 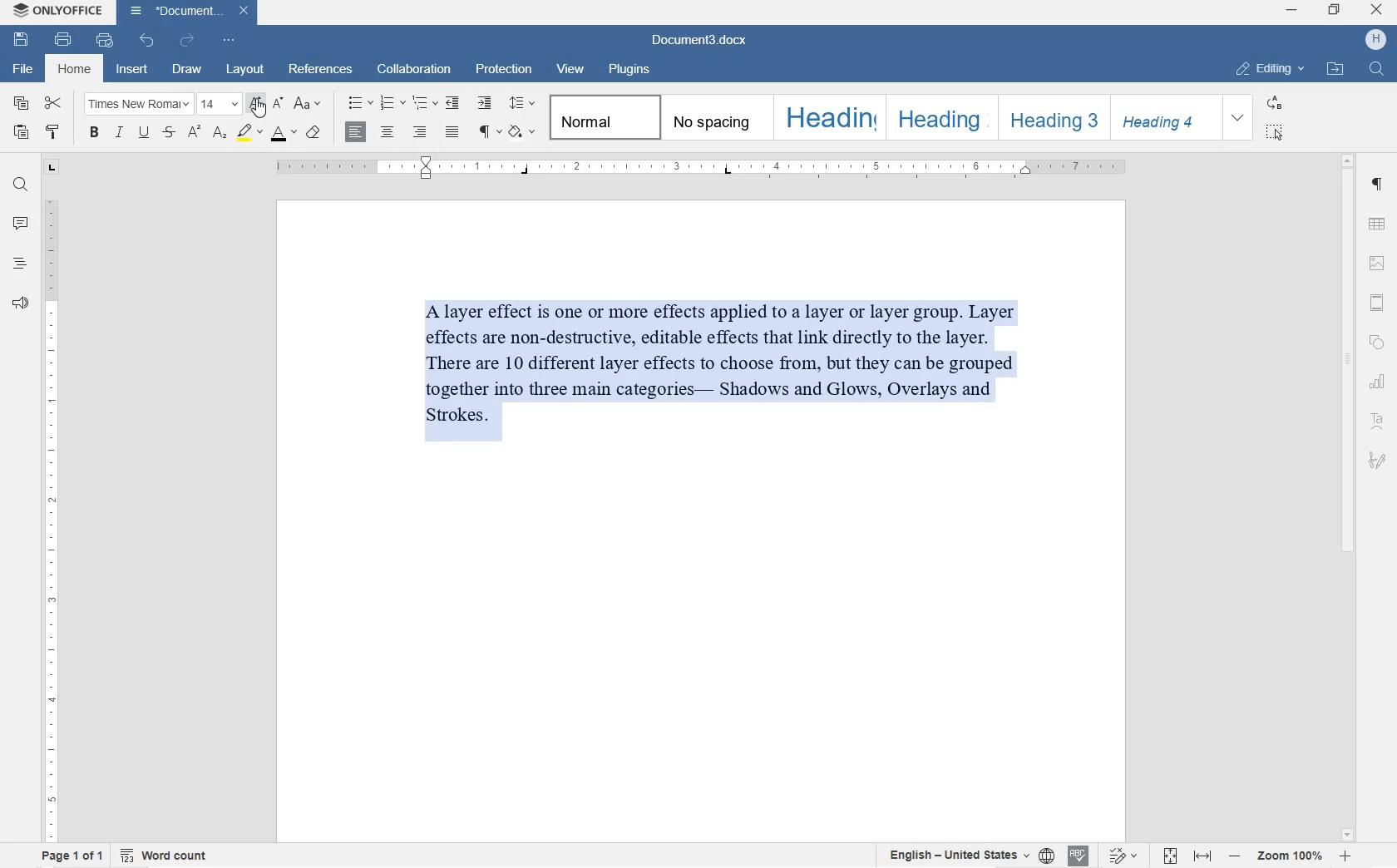 What do you see at coordinates (416, 69) in the screenshot?
I see `collaboration` at bounding box center [416, 69].